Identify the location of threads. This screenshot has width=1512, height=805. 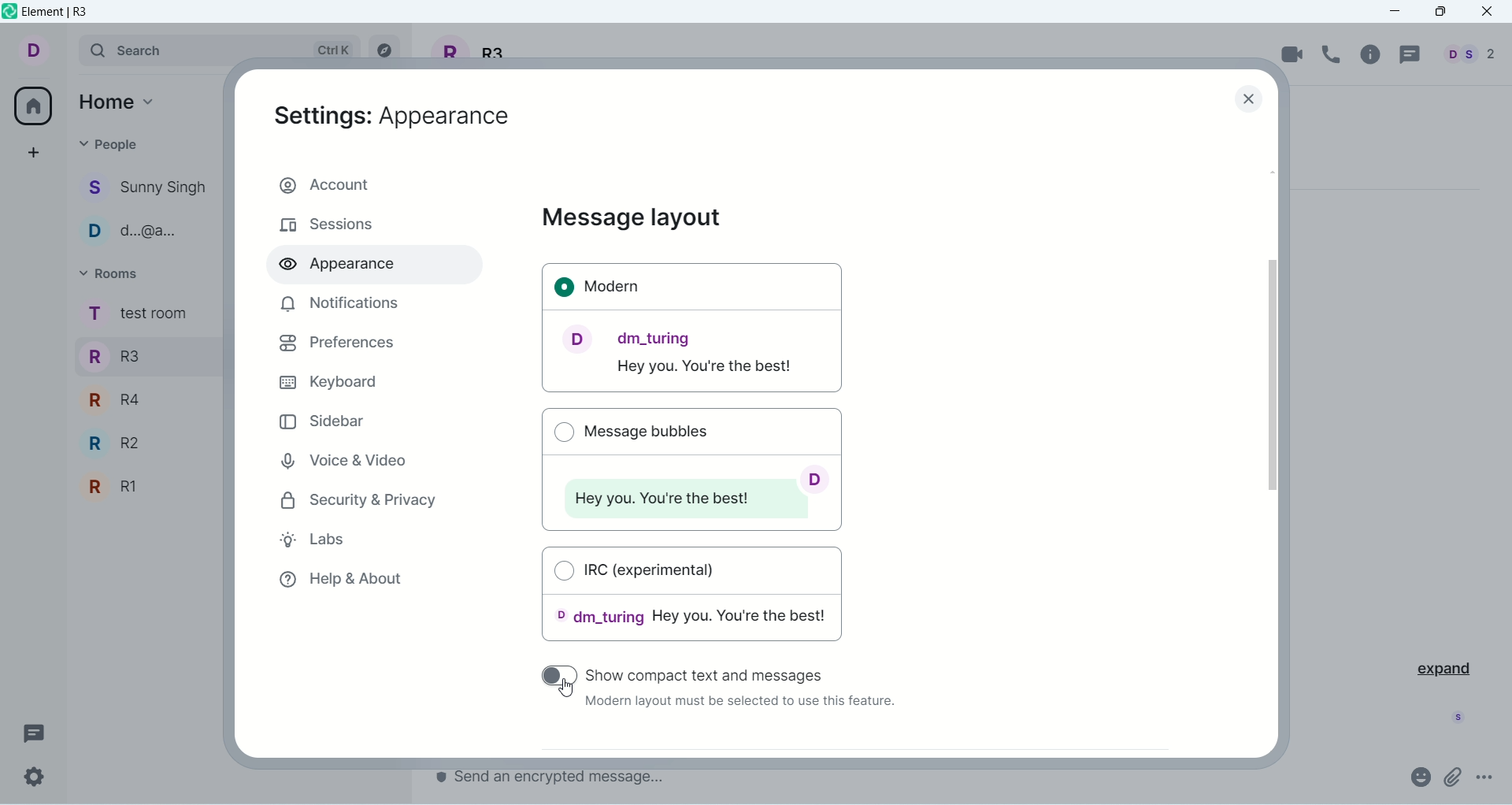
(34, 730).